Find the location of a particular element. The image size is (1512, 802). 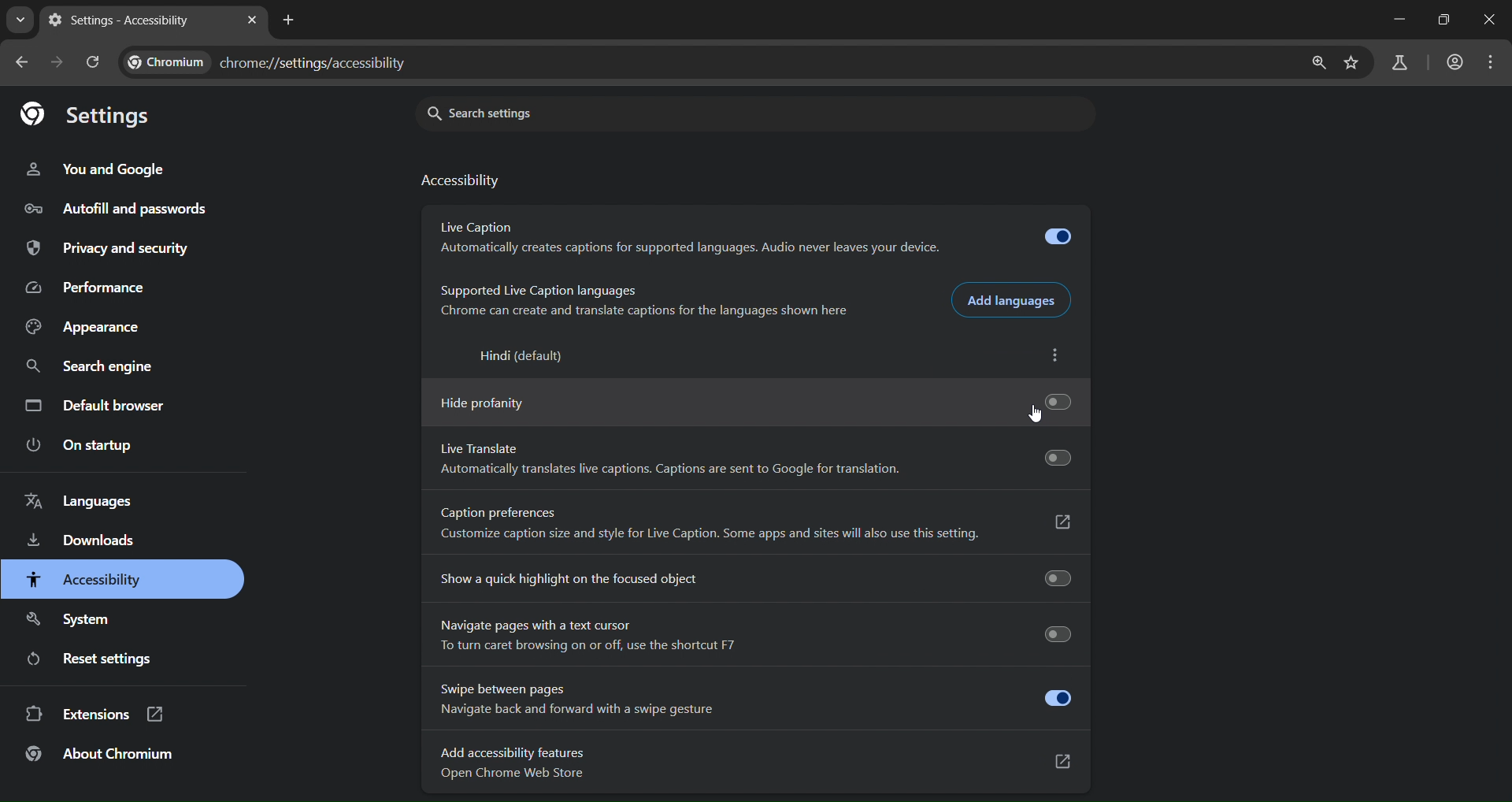

on startup is located at coordinates (80, 446).